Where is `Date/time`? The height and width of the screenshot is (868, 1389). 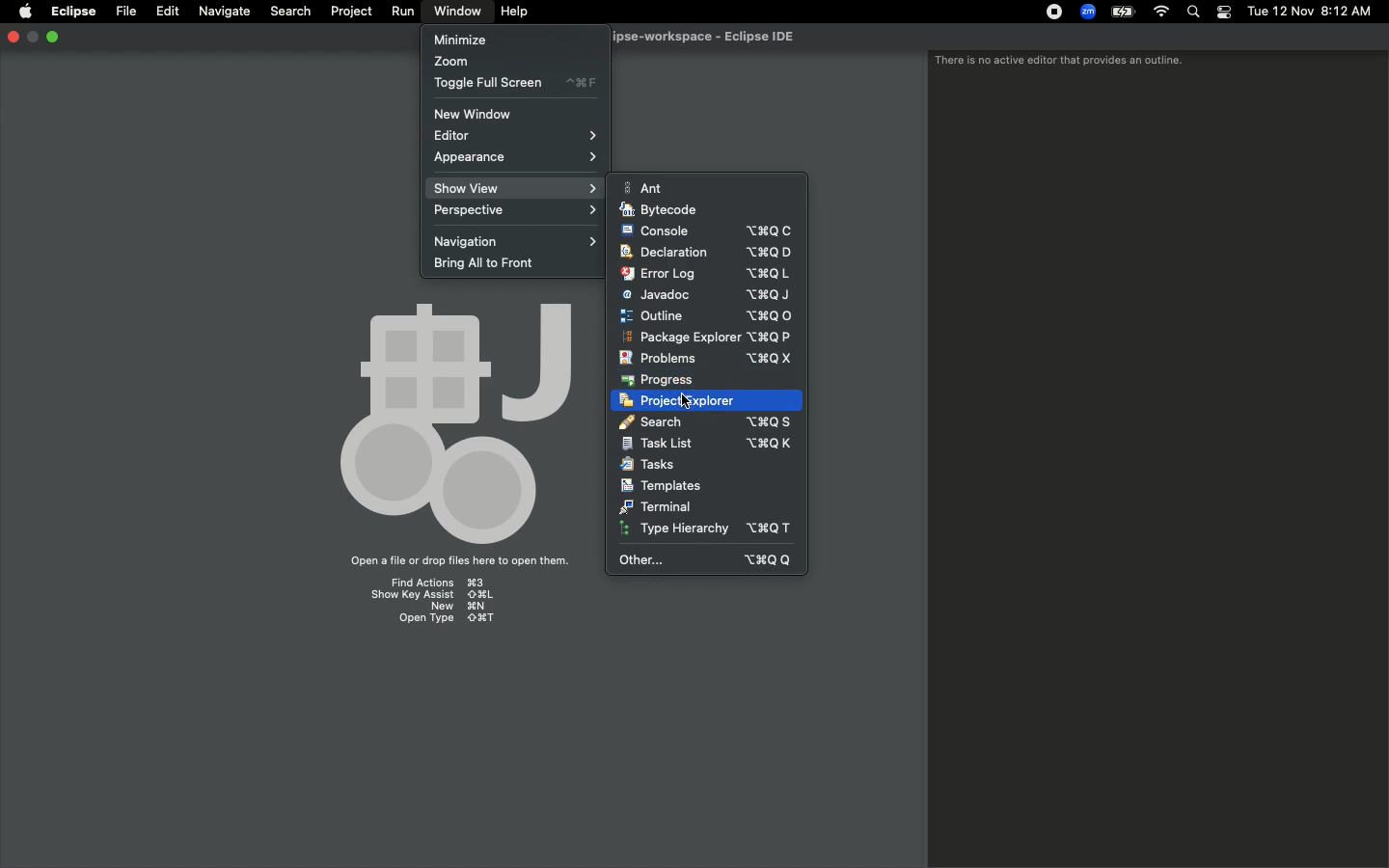 Date/time is located at coordinates (1309, 11).